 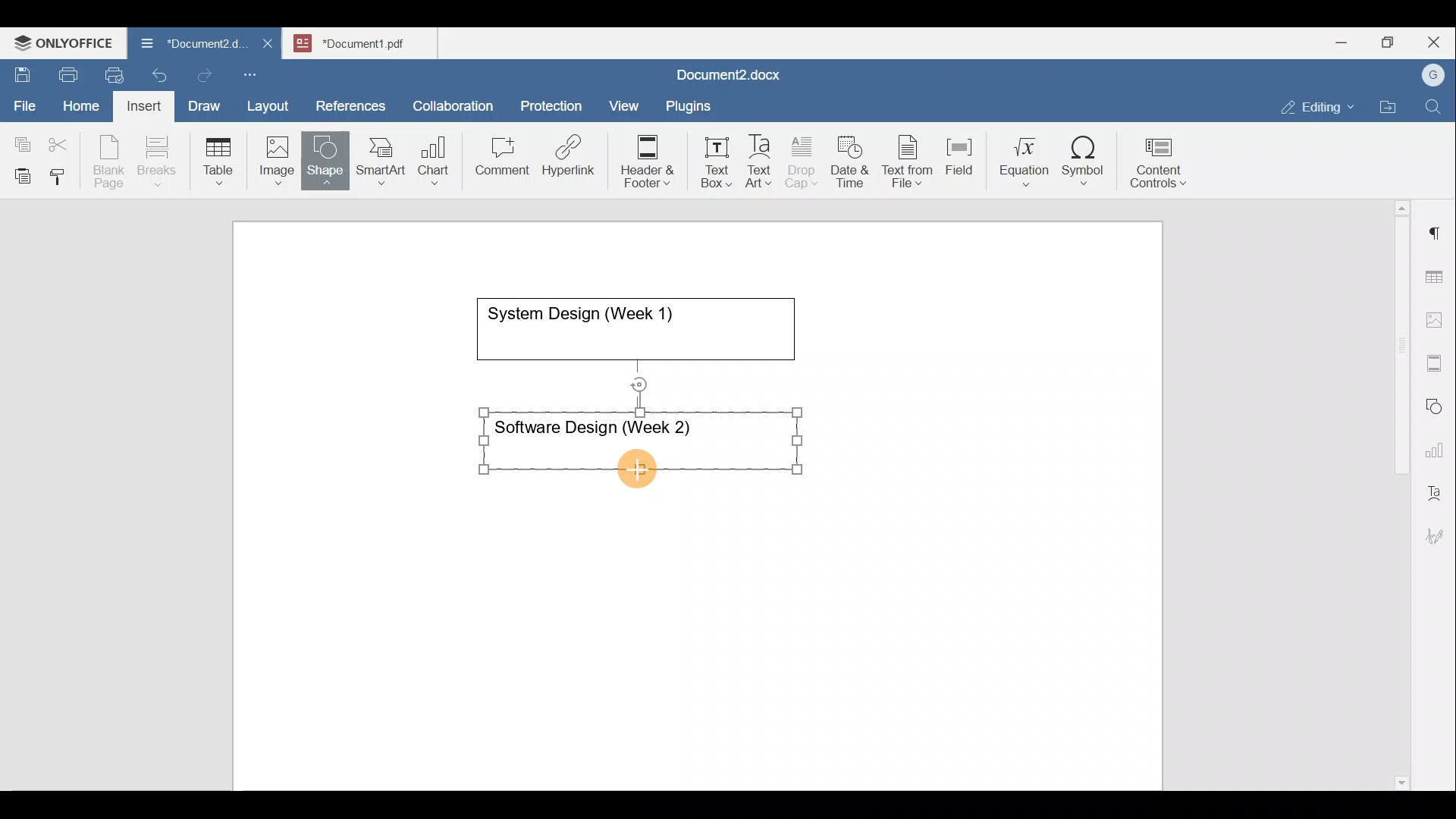 What do you see at coordinates (256, 72) in the screenshot?
I see `Customize quick access toolbar` at bounding box center [256, 72].